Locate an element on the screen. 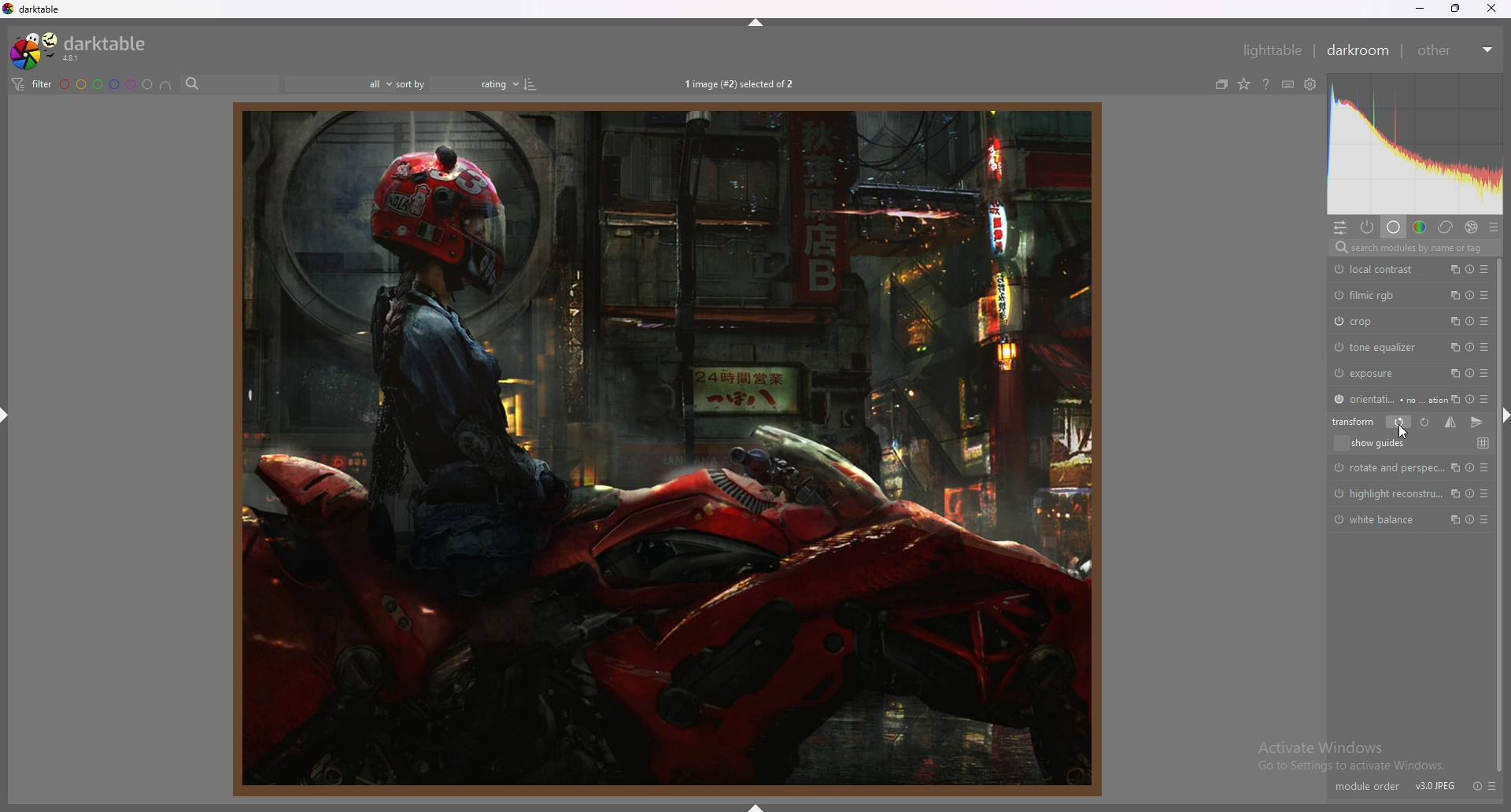 The height and width of the screenshot is (812, 1511). presets is located at coordinates (1483, 397).